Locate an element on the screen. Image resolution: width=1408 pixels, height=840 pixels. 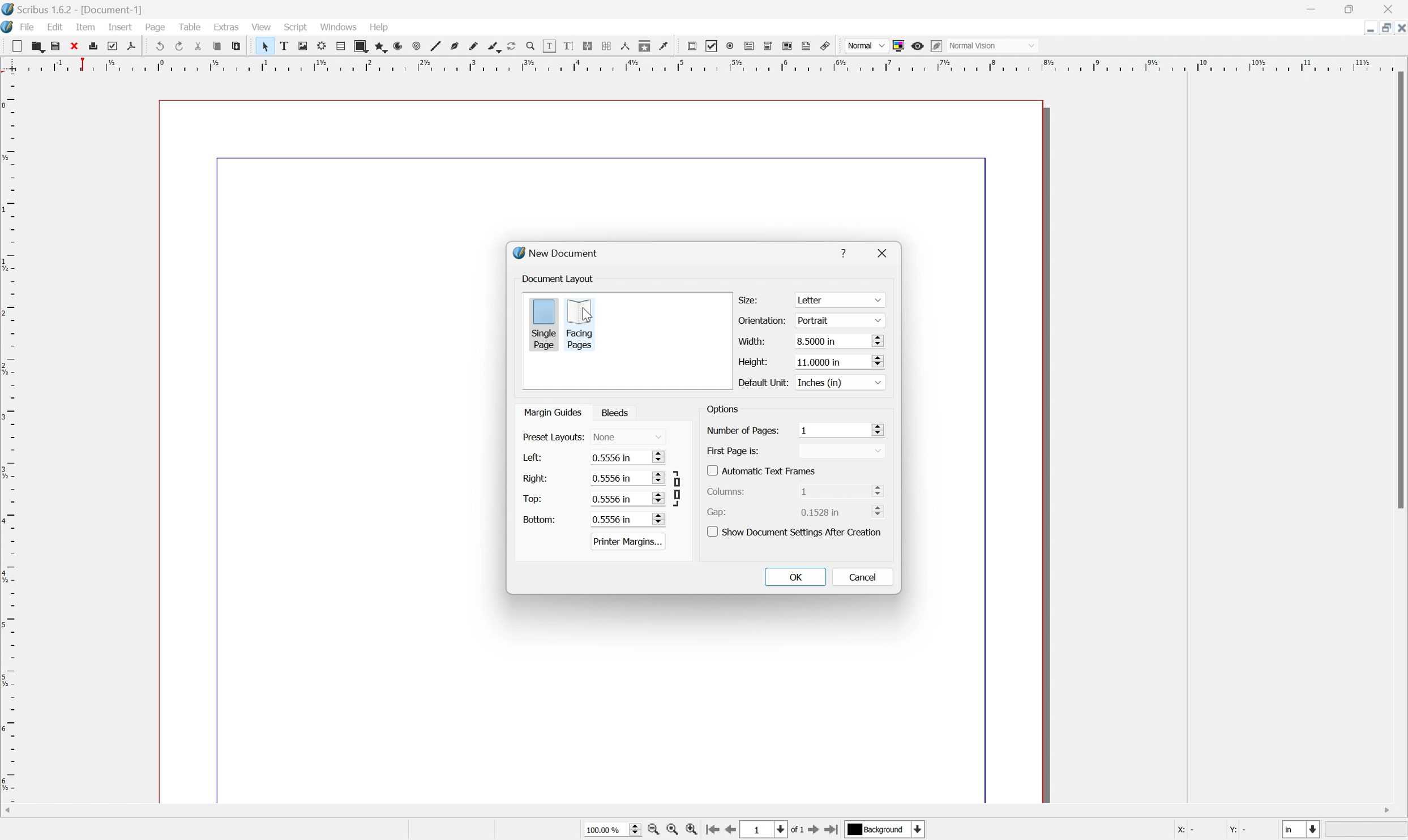
Page is located at coordinates (157, 29).